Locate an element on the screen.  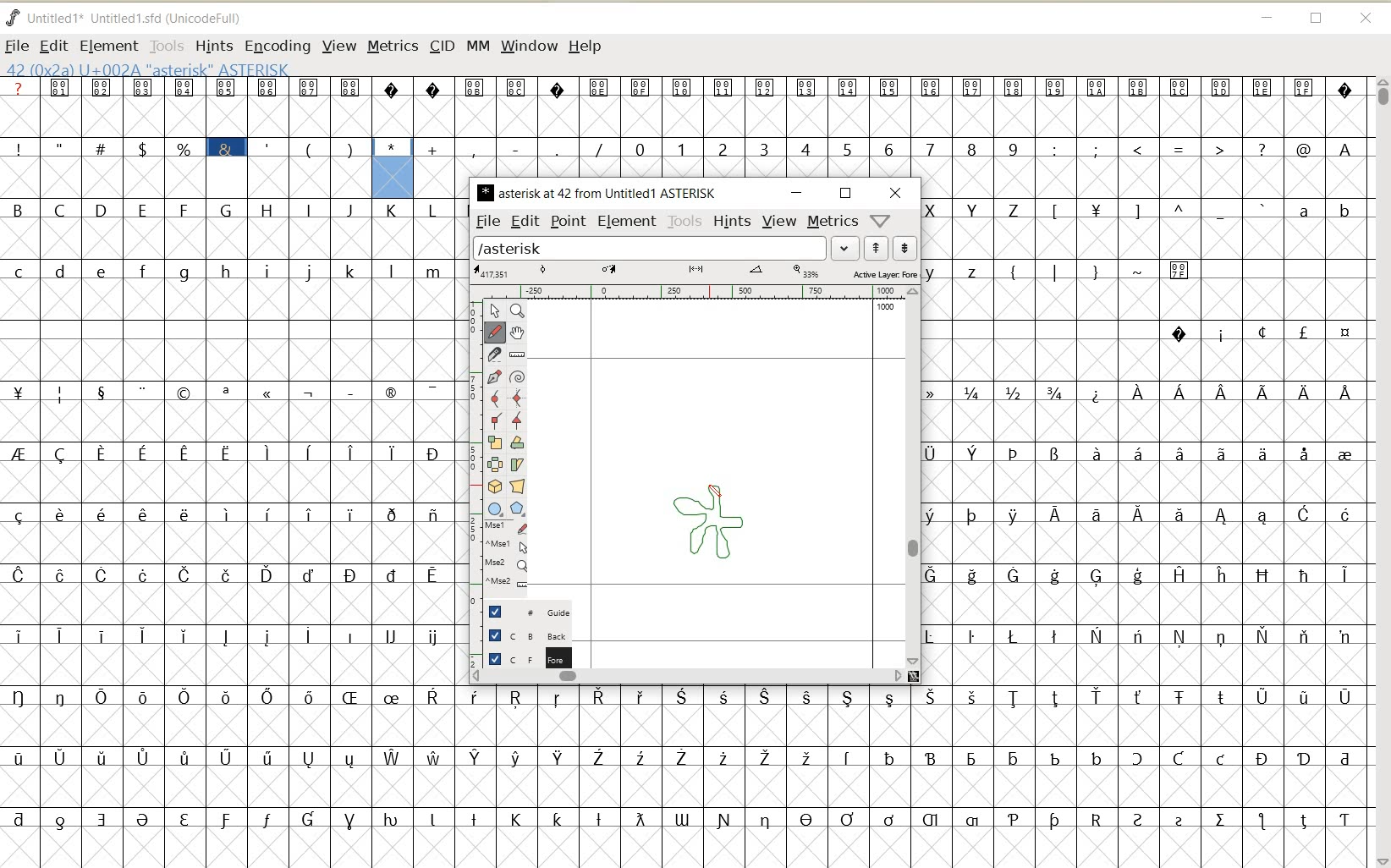
GLYPHY CHARACTERS is located at coordinates (229, 532).